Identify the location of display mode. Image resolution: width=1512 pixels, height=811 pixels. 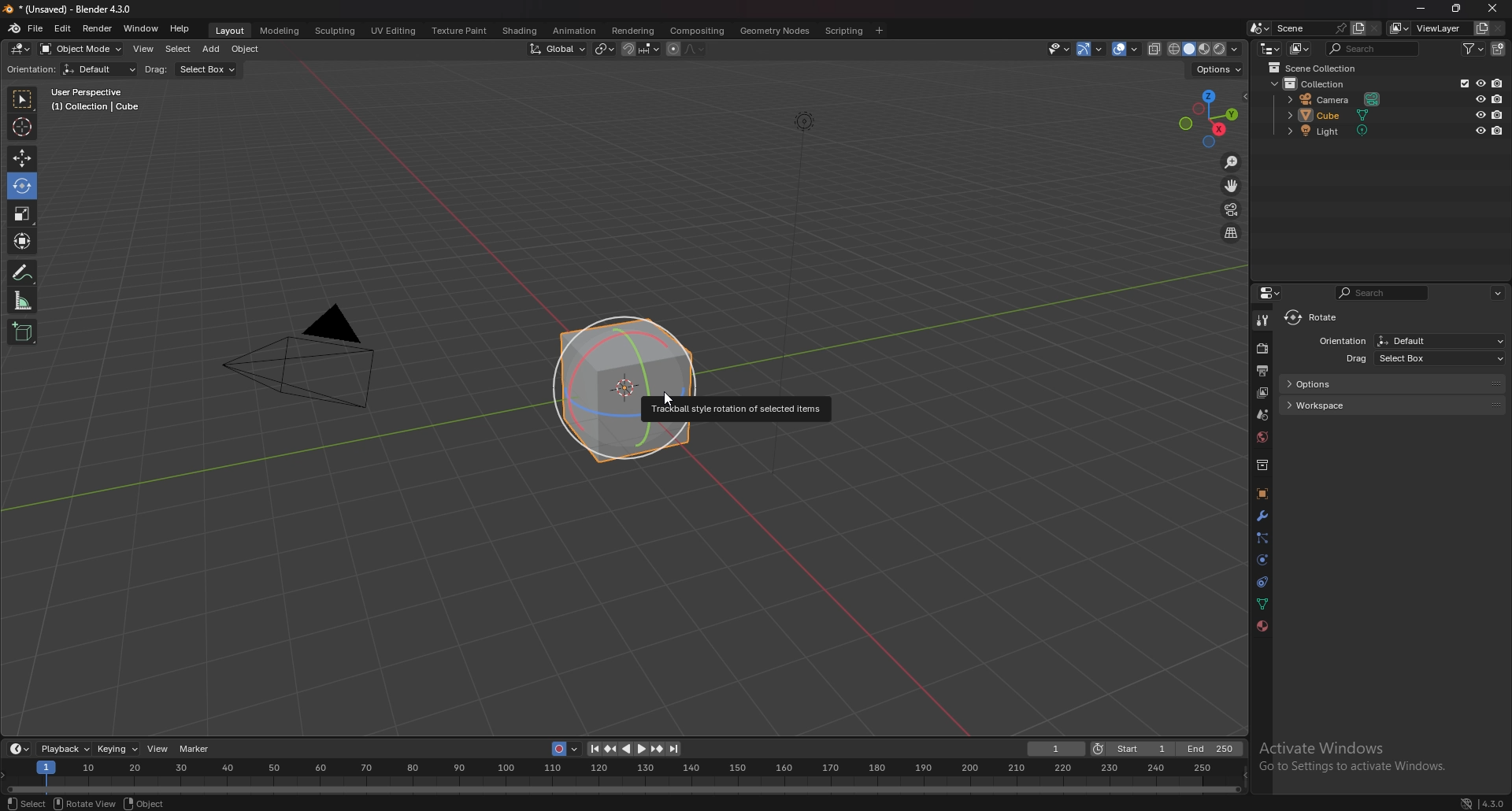
(1300, 49).